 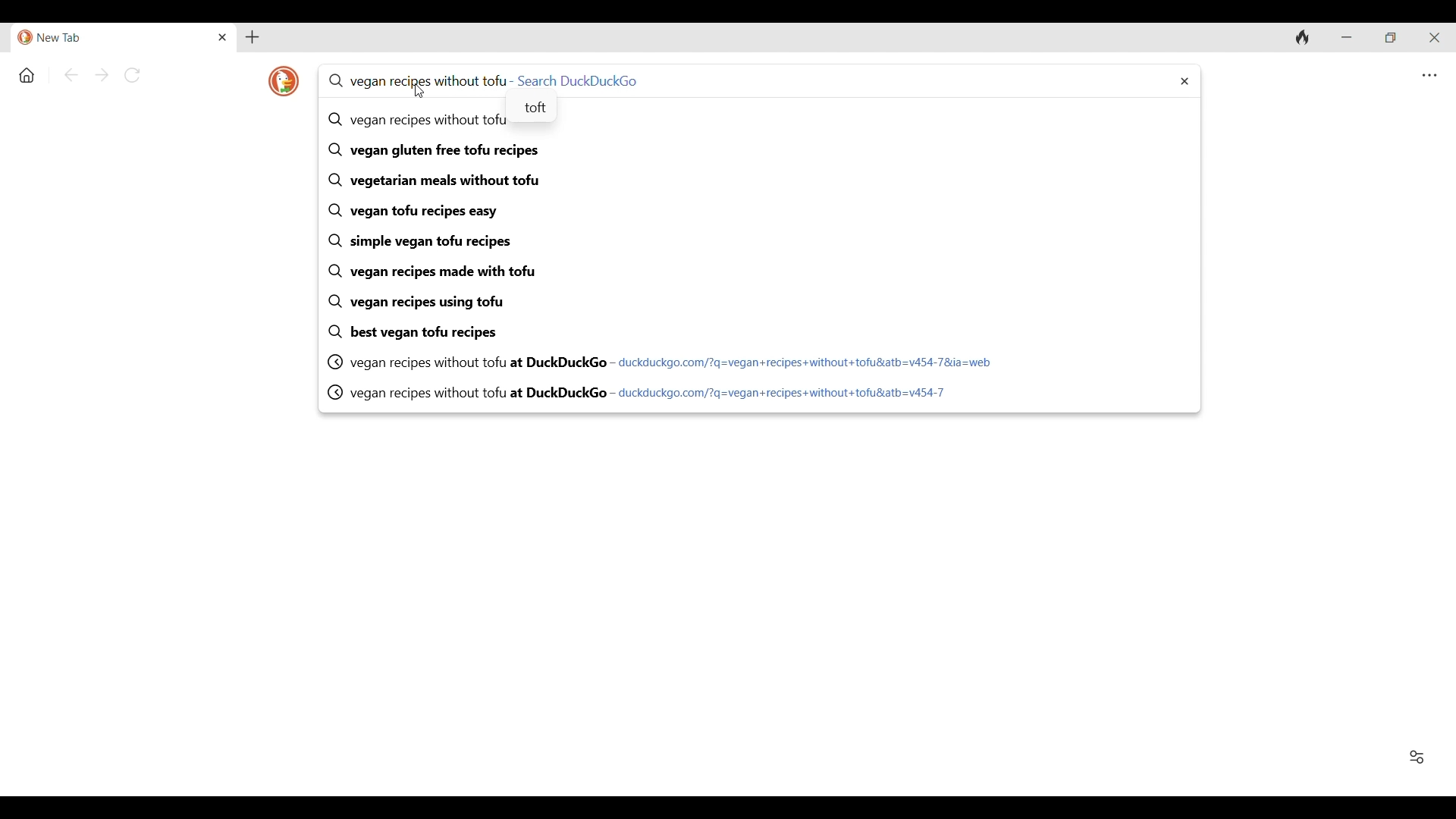 I want to click on vegan recipes without tofu at DuckDuckGo - duckduckgo.com/?q=vegan+recipes+without+tofusatb=v454-7, so click(x=761, y=394).